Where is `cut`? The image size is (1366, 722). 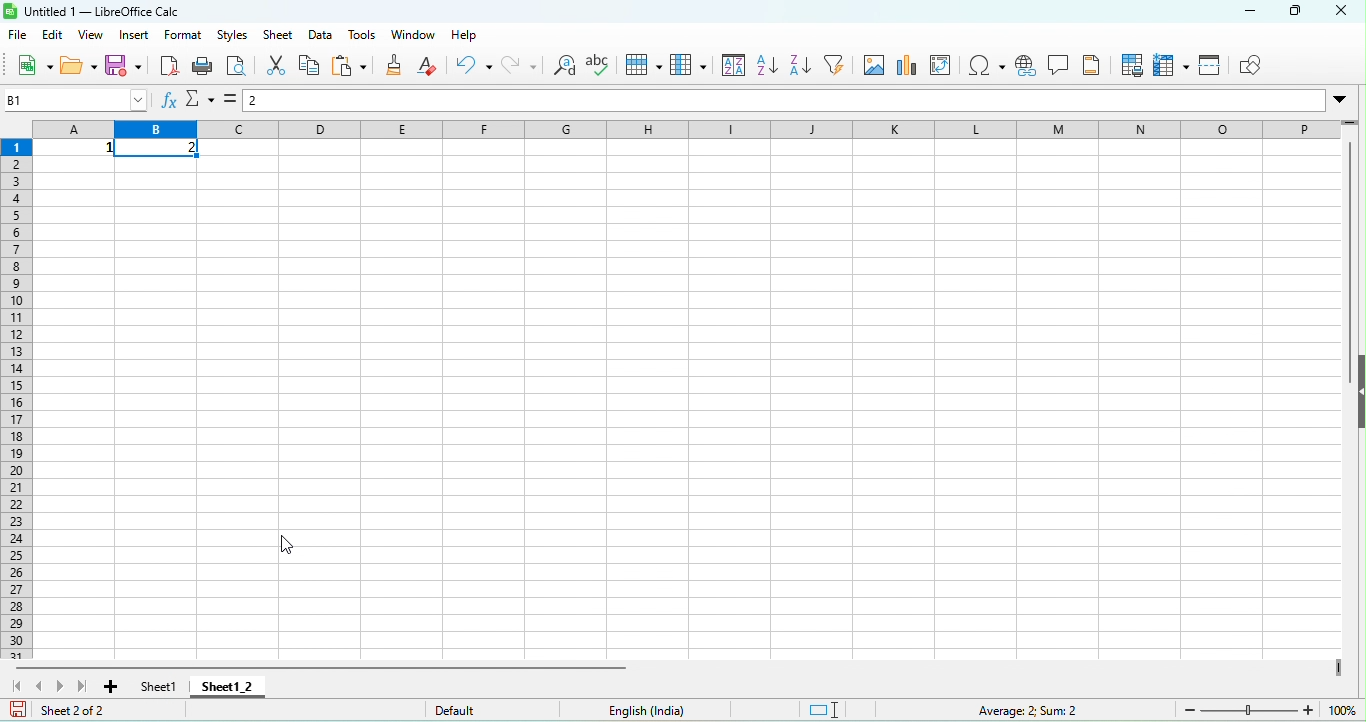
cut is located at coordinates (280, 66).